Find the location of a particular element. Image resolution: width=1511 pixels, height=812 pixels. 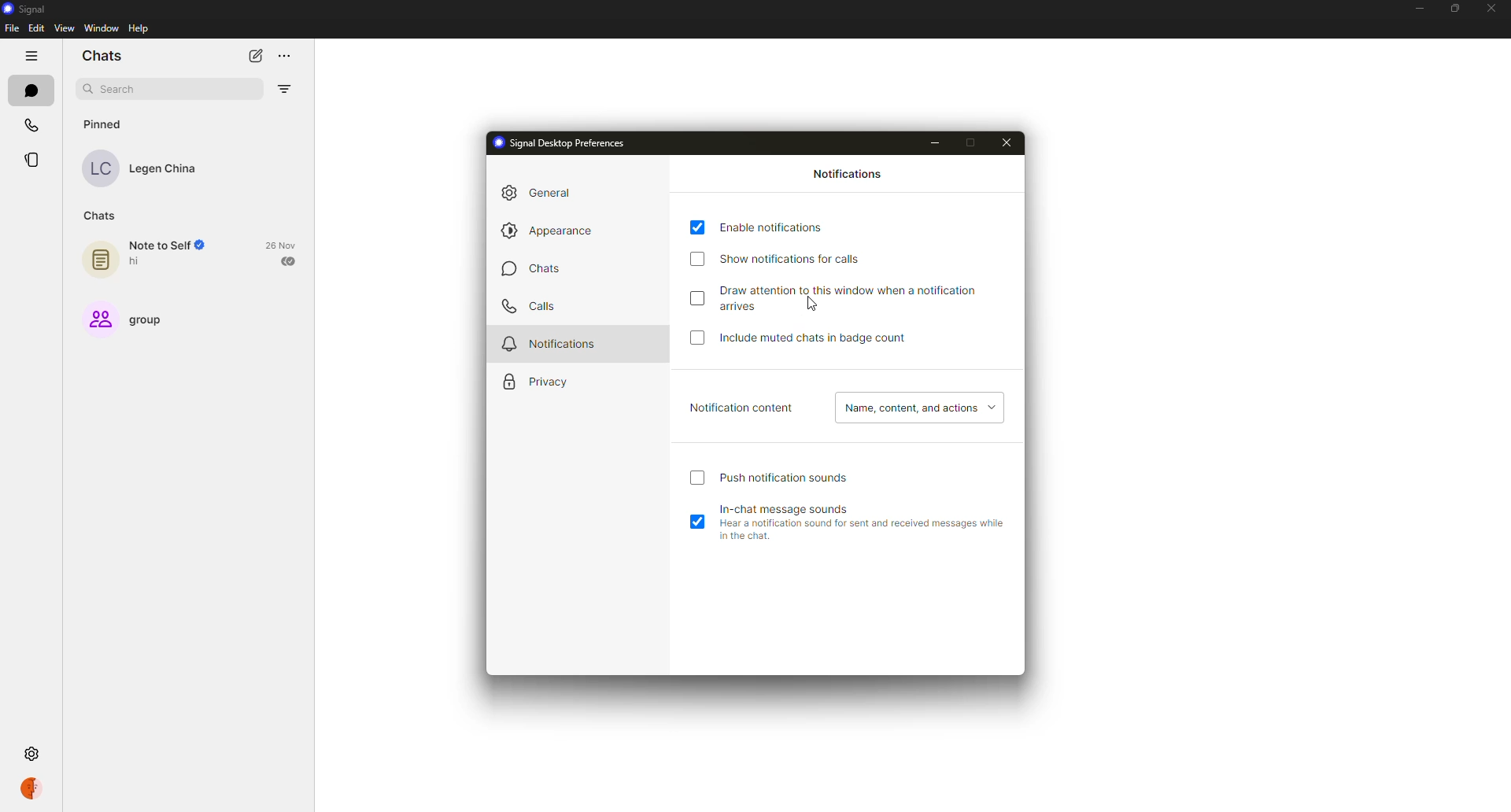

maximize is located at coordinates (973, 144).